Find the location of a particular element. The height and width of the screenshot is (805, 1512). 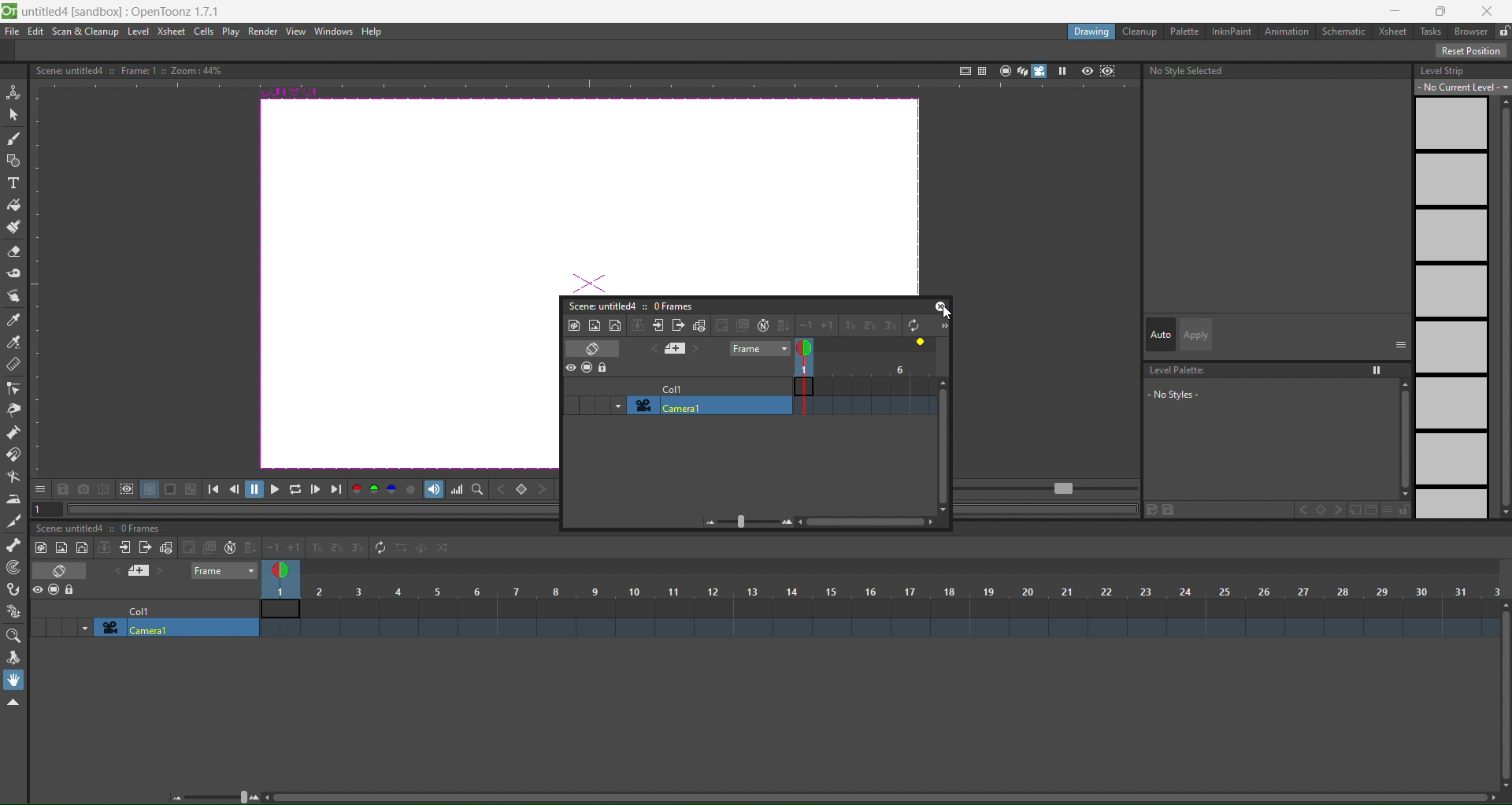

 is located at coordinates (914, 325).